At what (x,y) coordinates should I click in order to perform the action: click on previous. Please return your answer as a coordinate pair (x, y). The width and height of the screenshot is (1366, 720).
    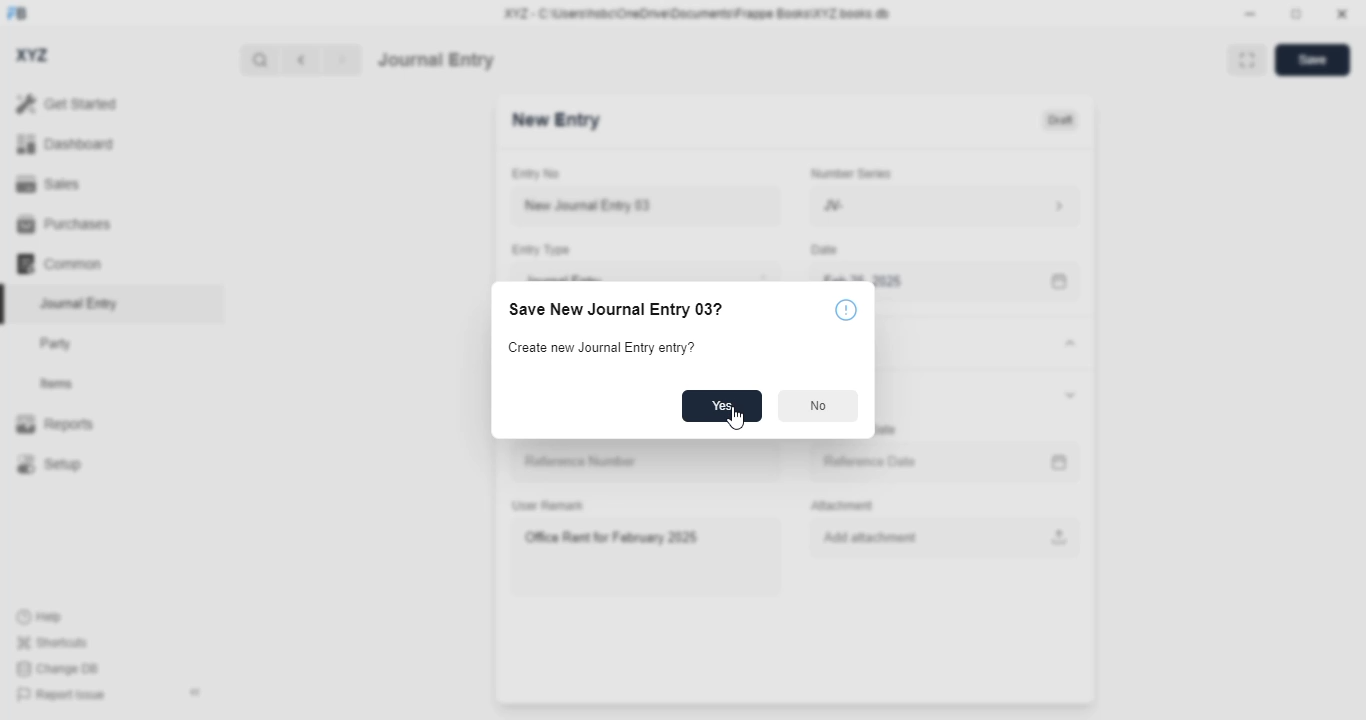
    Looking at the image, I should click on (301, 60).